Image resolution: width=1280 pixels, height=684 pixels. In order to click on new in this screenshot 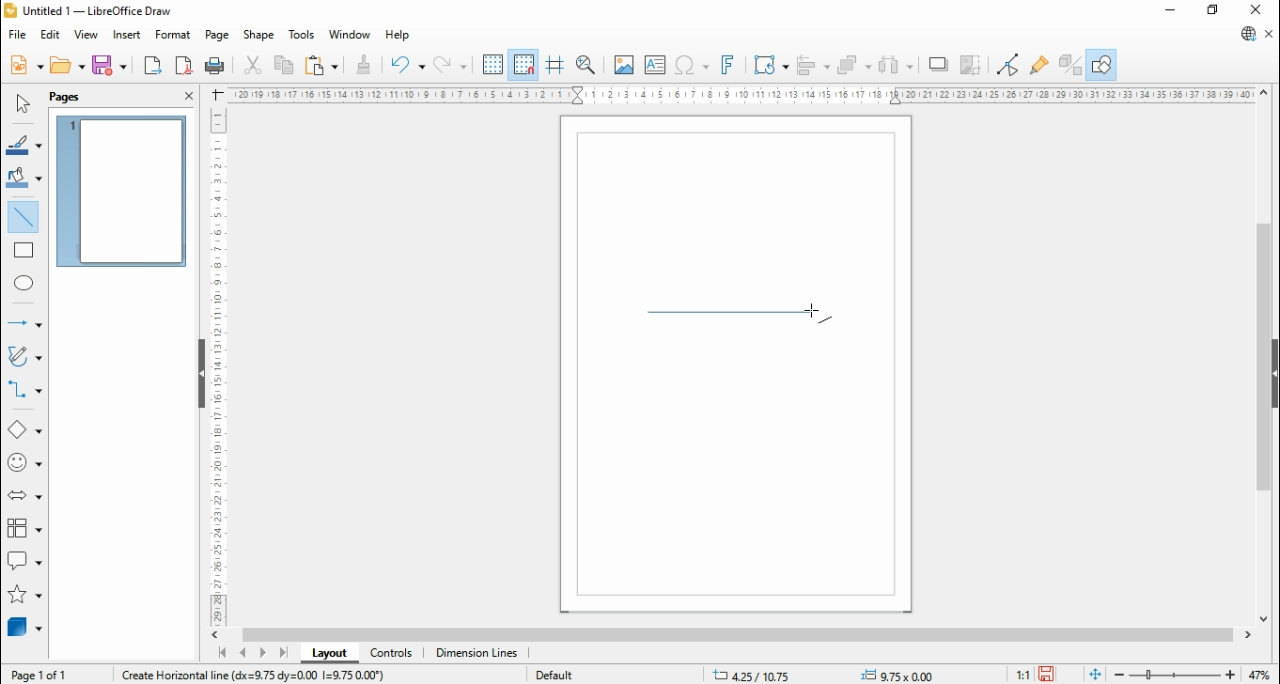, I will do `click(25, 66)`.